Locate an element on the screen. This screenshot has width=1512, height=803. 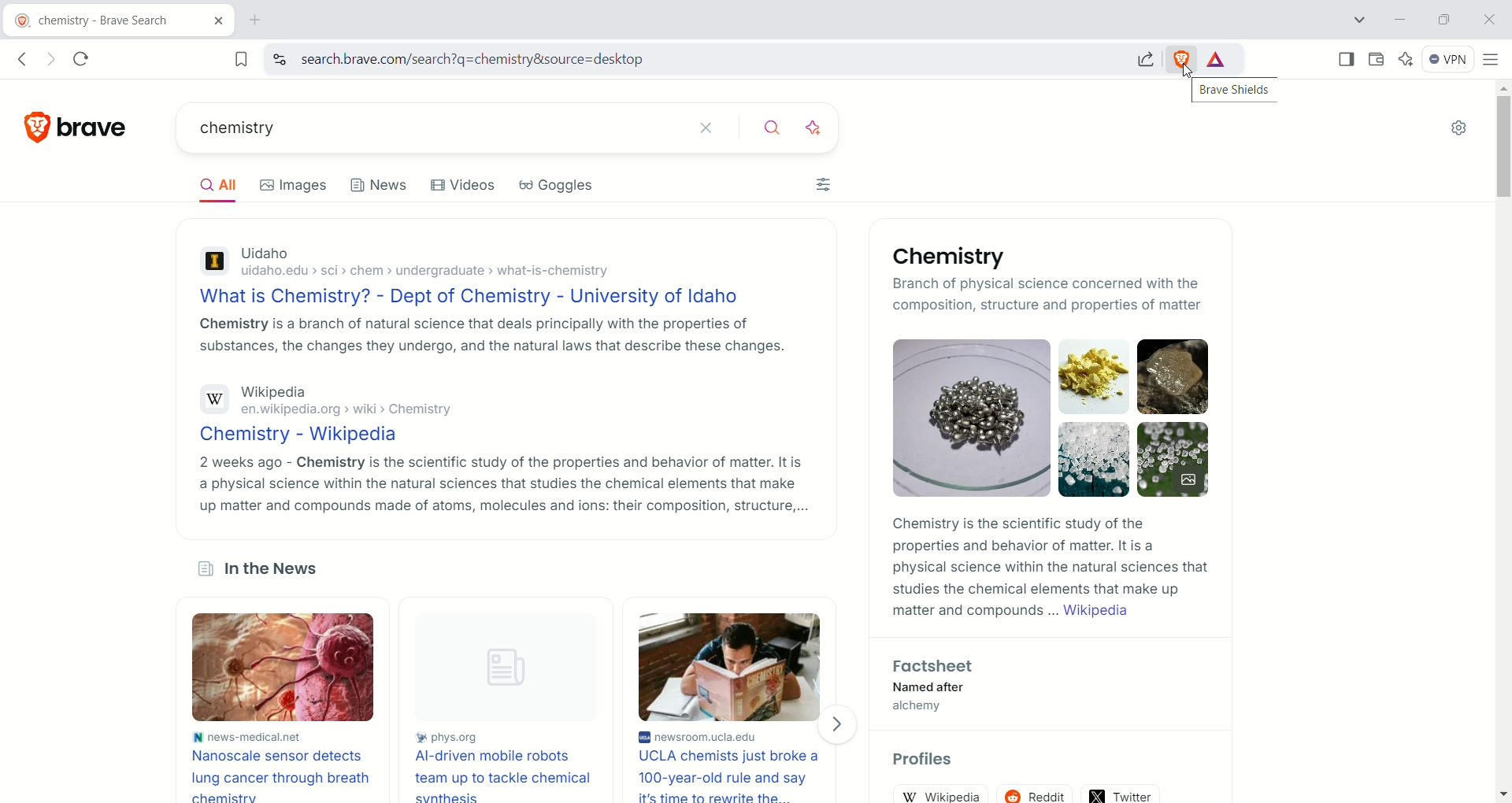
phys.org is located at coordinates (500, 739).